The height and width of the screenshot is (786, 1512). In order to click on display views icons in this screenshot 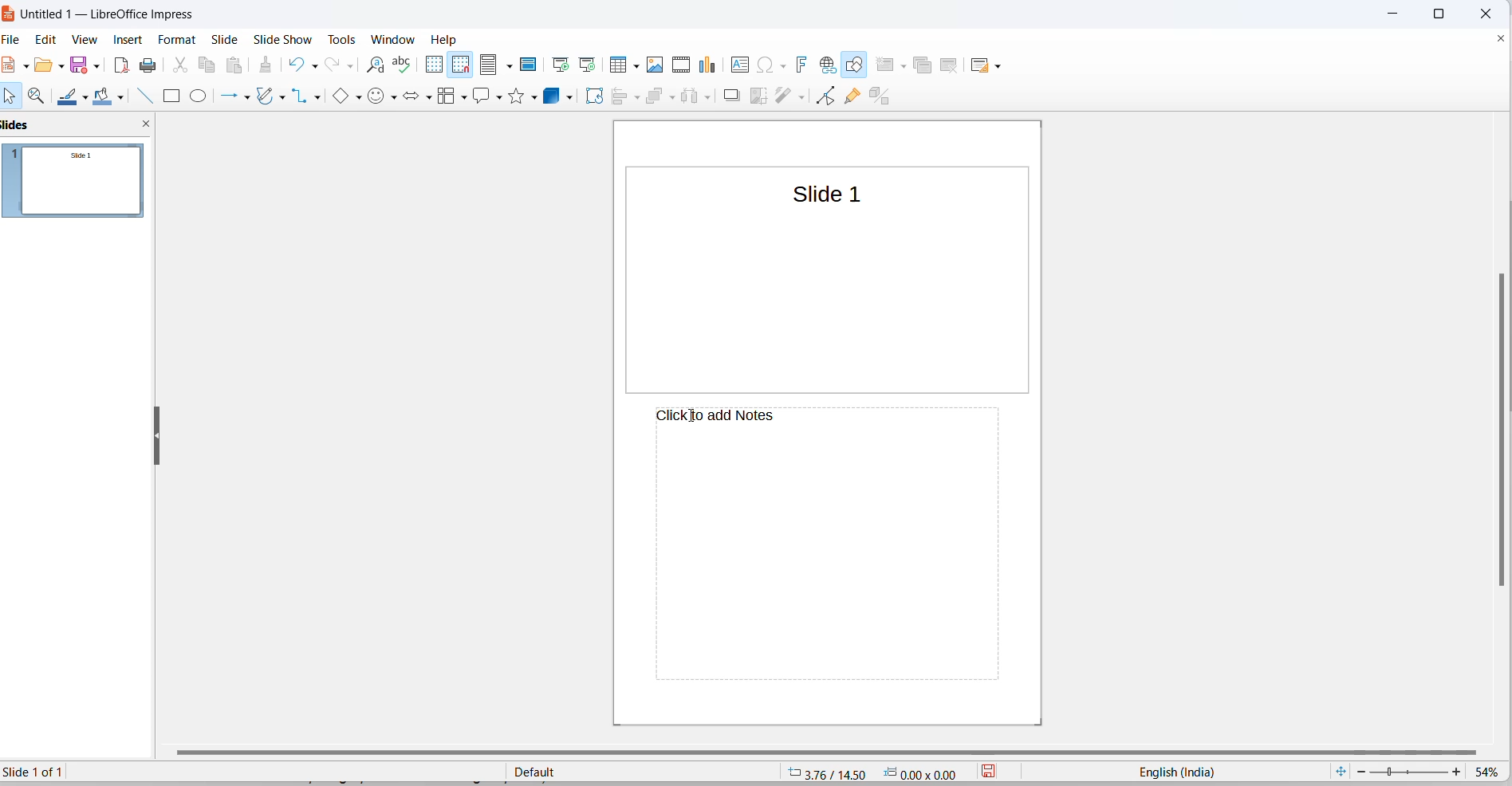, I will do `click(490, 65)`.